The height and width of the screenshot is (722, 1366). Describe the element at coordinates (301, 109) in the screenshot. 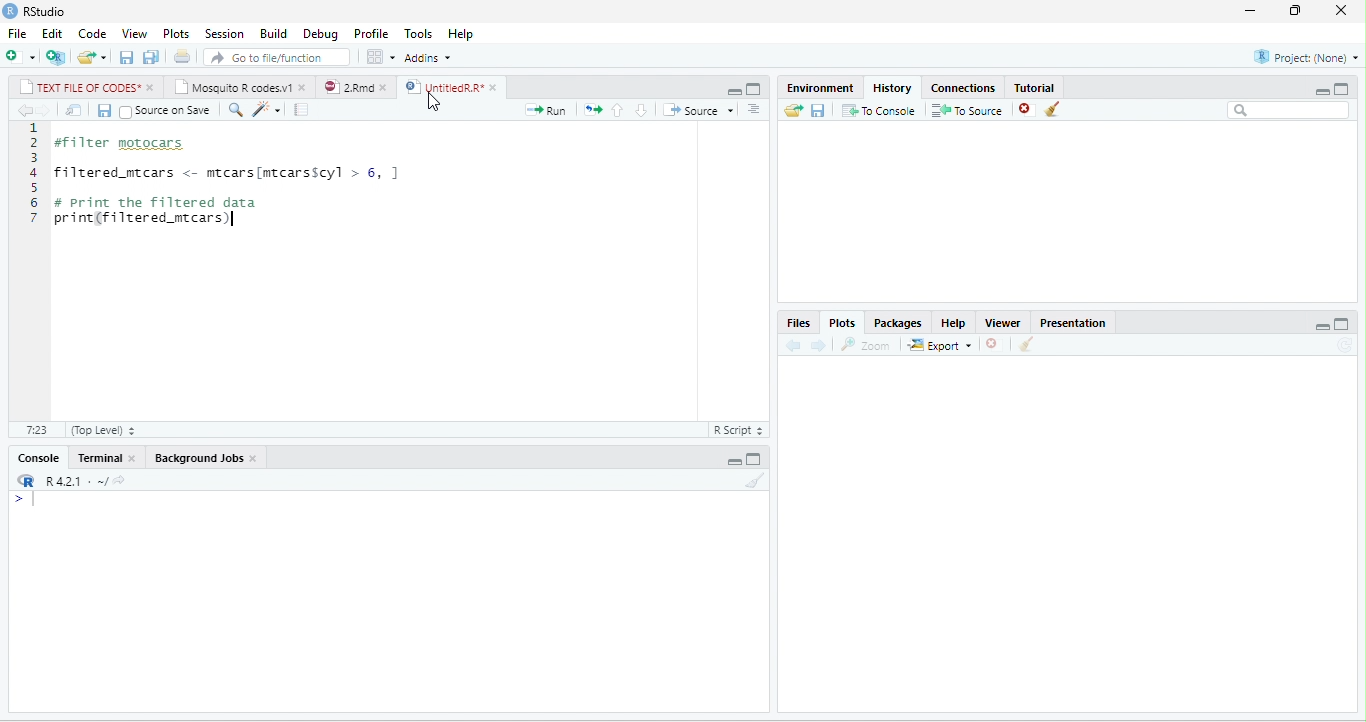

I see `compile report` at that location.